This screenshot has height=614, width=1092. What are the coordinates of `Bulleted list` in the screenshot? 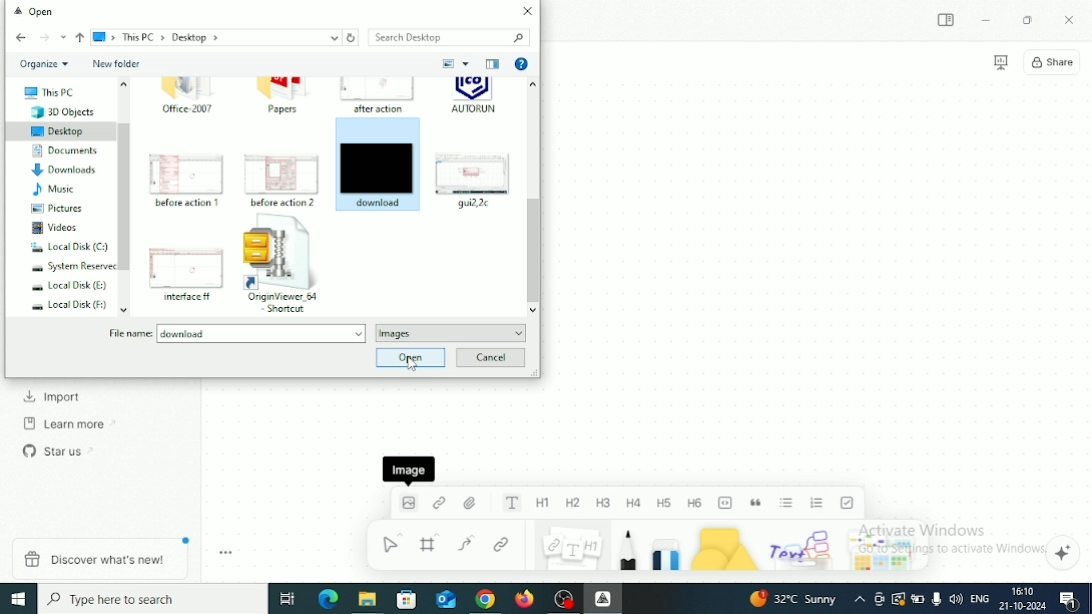 It's located at (787, 503).